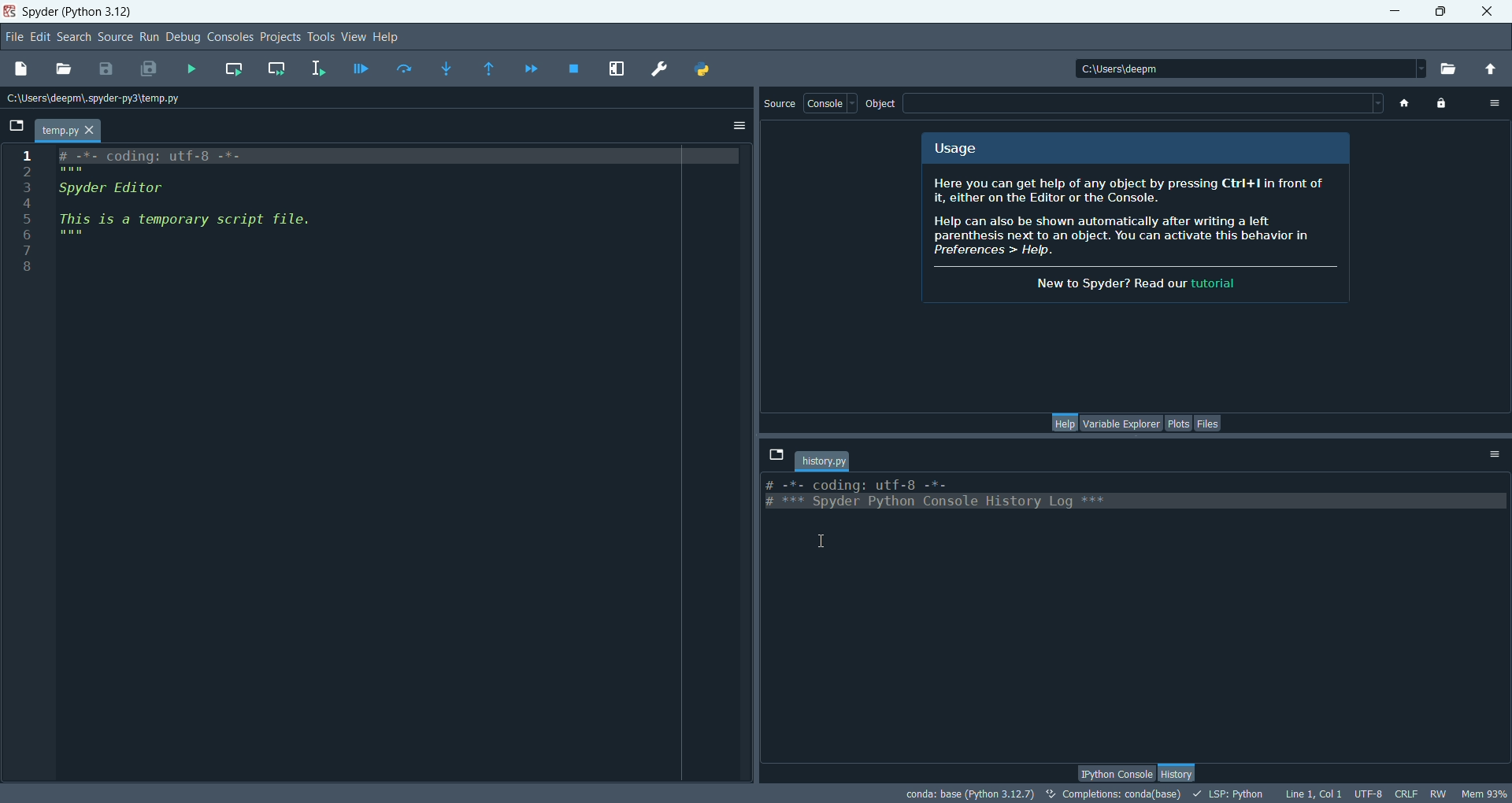  Describe the element at coordinates (779, 103) in the screenshot. I see `source` at that location.